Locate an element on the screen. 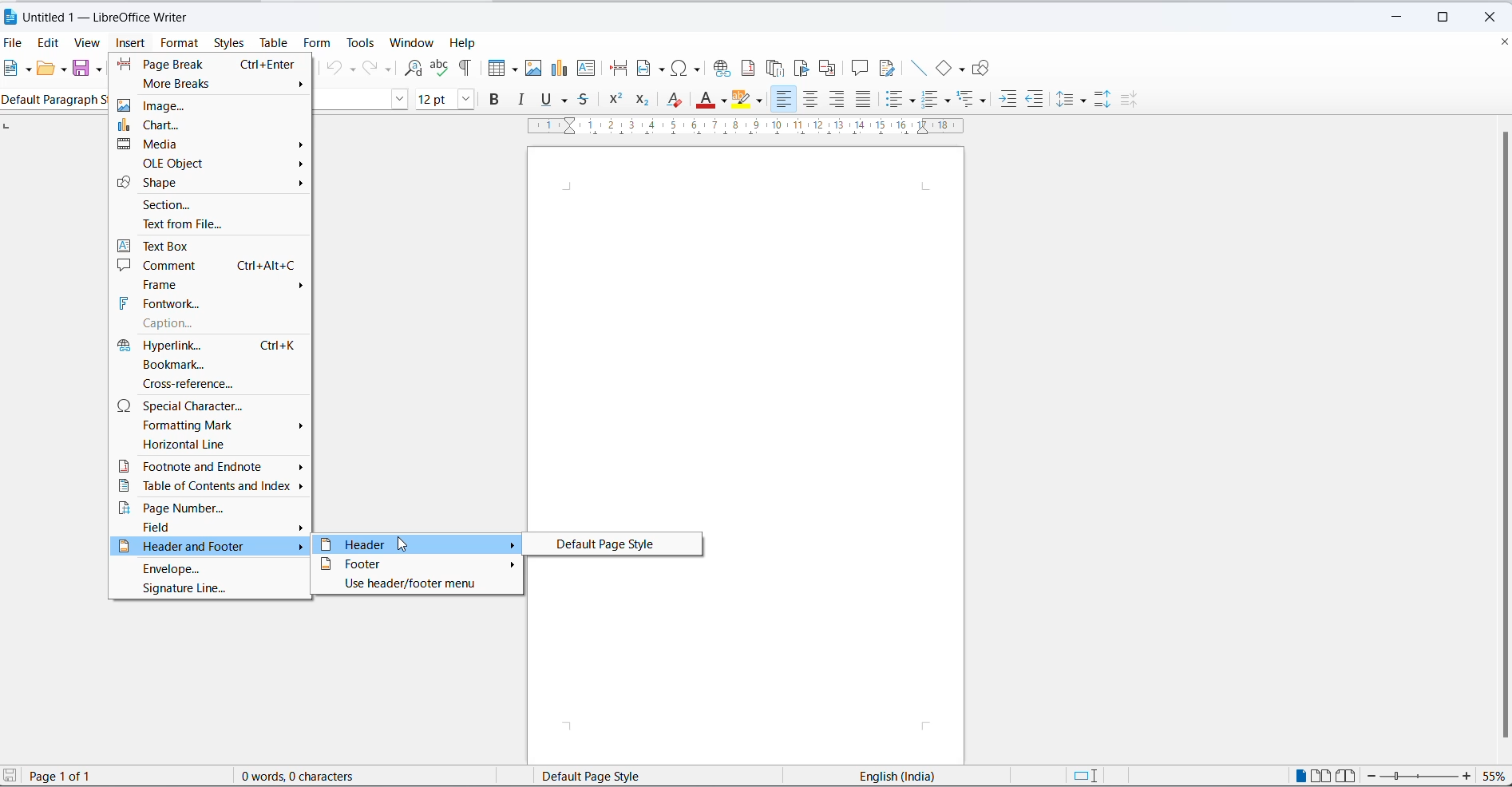 The height and width of the screenshot is (787, 1512). media is located at coordinates (212, 144).